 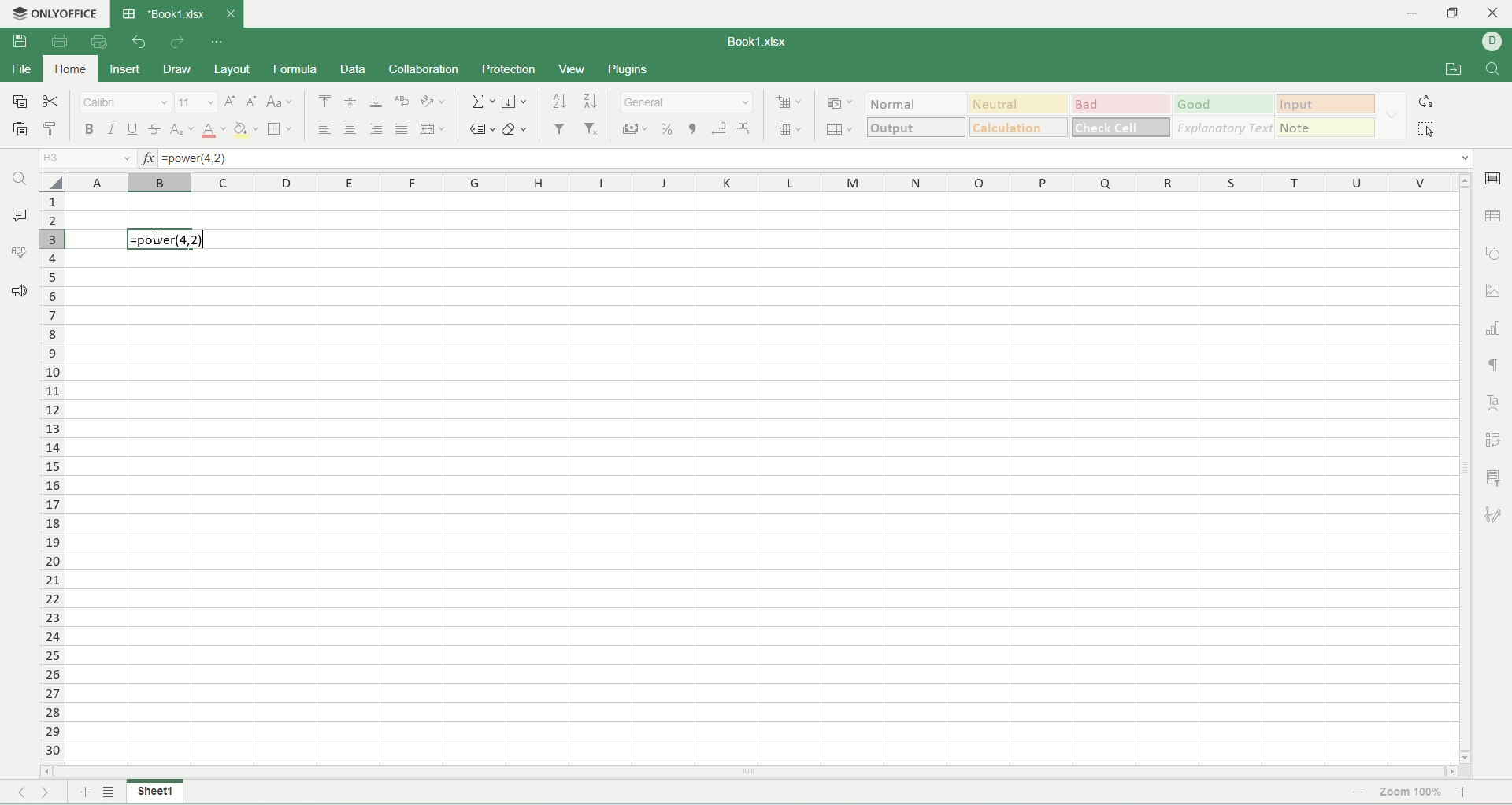 I want to click on zoom bar, so click(x=1375, y=793).